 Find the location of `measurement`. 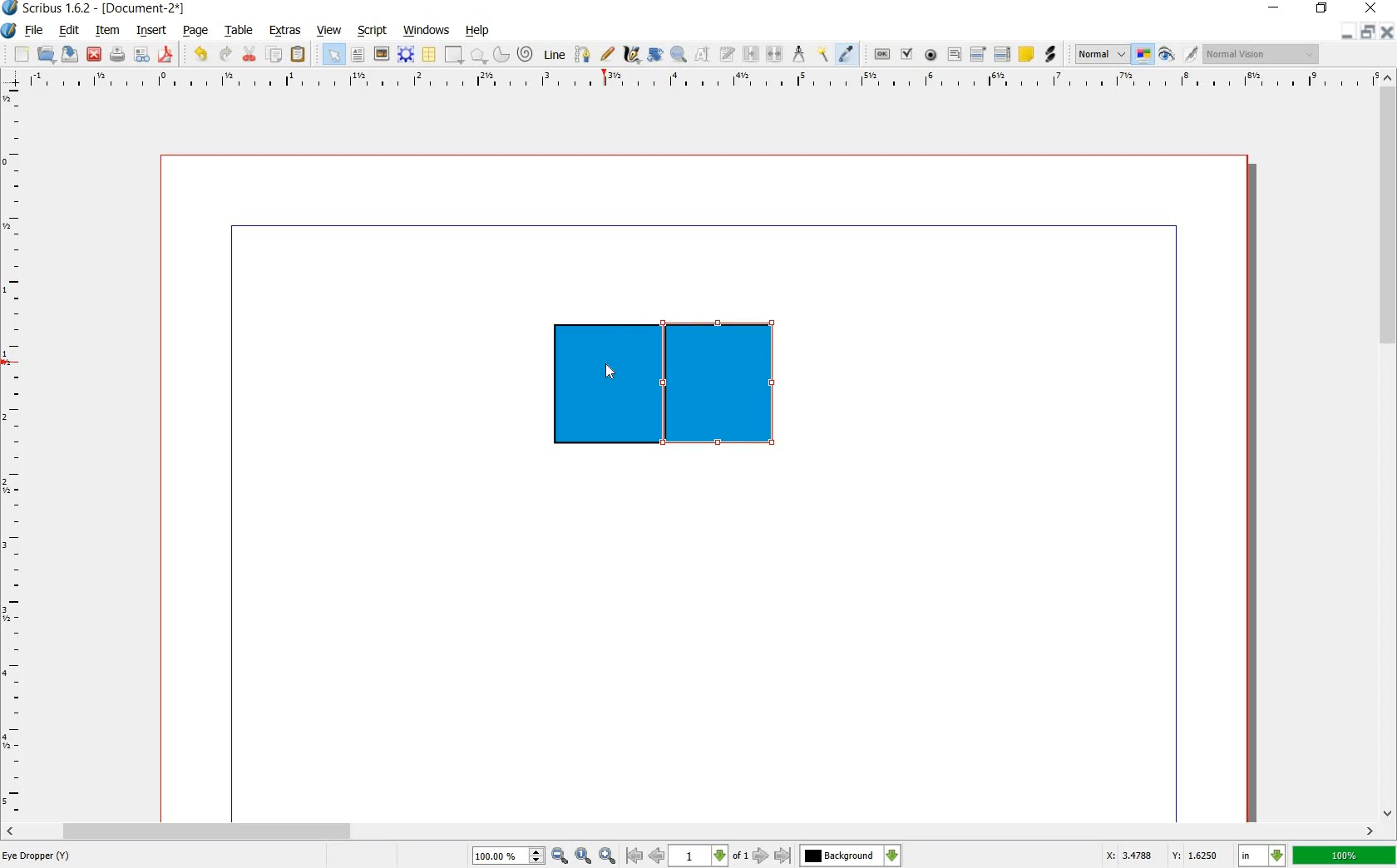

measurement is located at coordinates (800, 55).